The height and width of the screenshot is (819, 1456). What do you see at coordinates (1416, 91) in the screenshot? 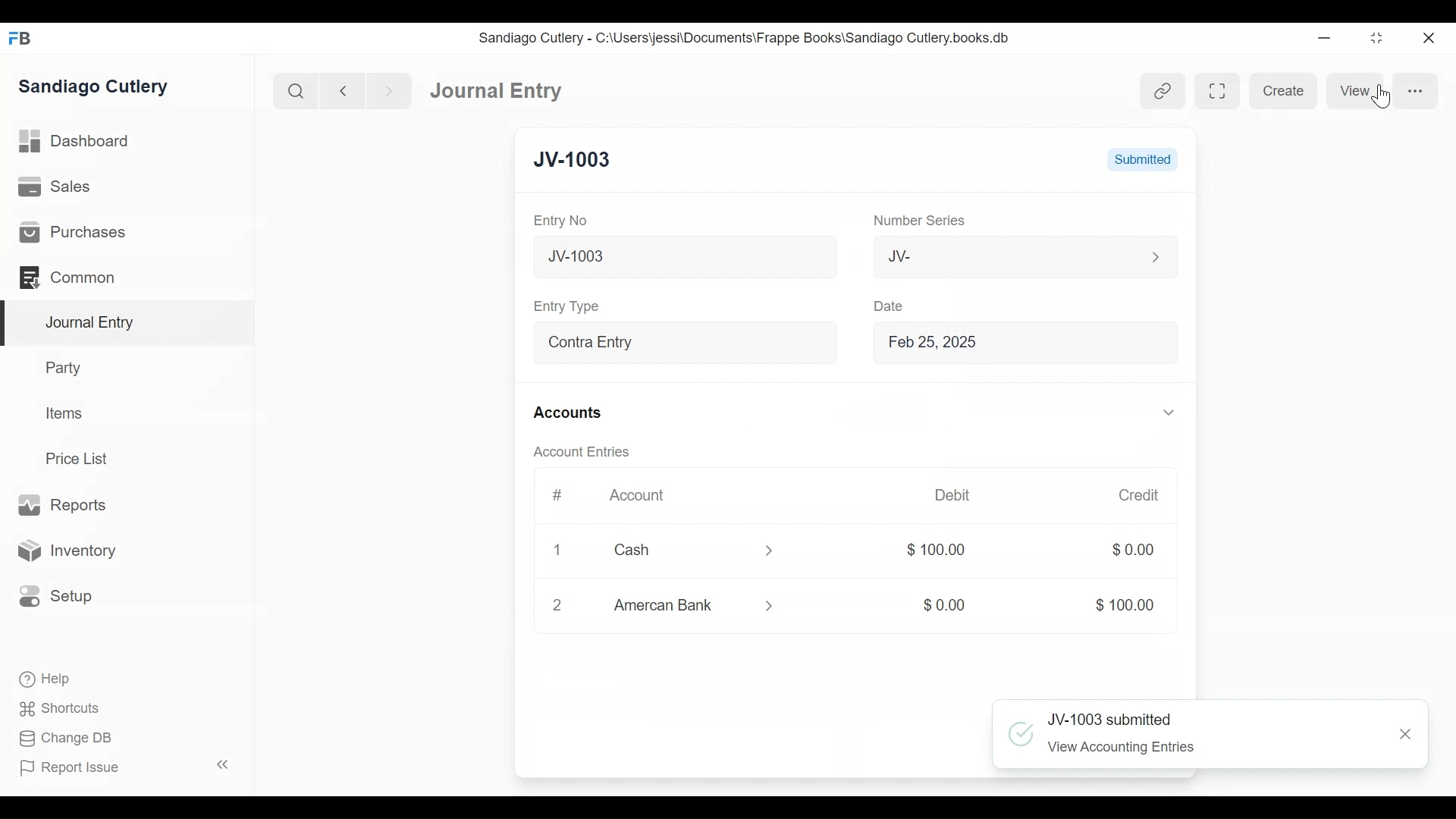
I see `more` at bounding box center [1416, 91].